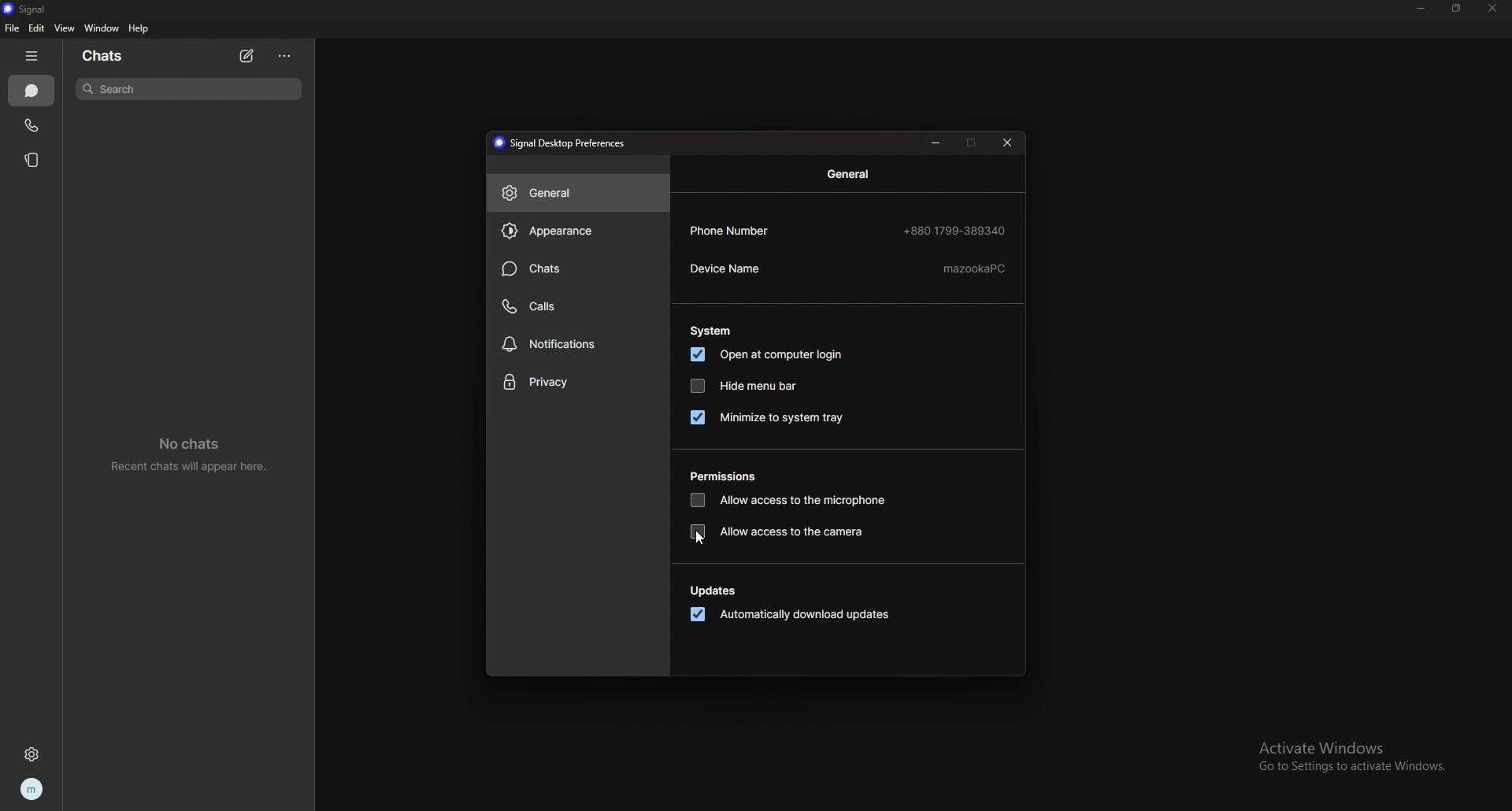 Image resolution: width=1512 pixels, height=811 pixels. Describe the element at coordinates (577, 343) in the screenshot. I see `notifications` at that location.